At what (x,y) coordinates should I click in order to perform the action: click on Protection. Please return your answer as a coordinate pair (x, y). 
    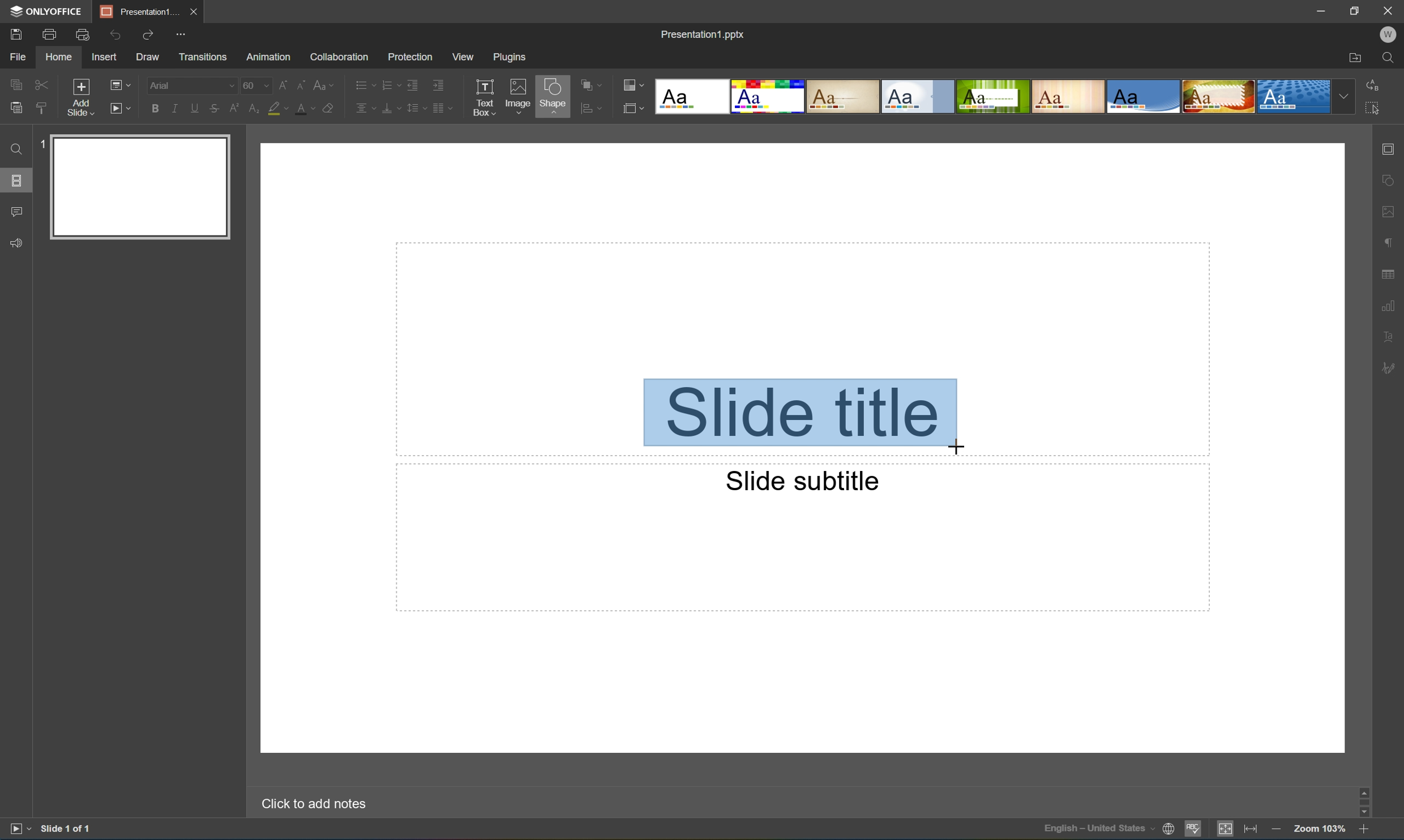
    Looking at the image, I should click on (409, 56).